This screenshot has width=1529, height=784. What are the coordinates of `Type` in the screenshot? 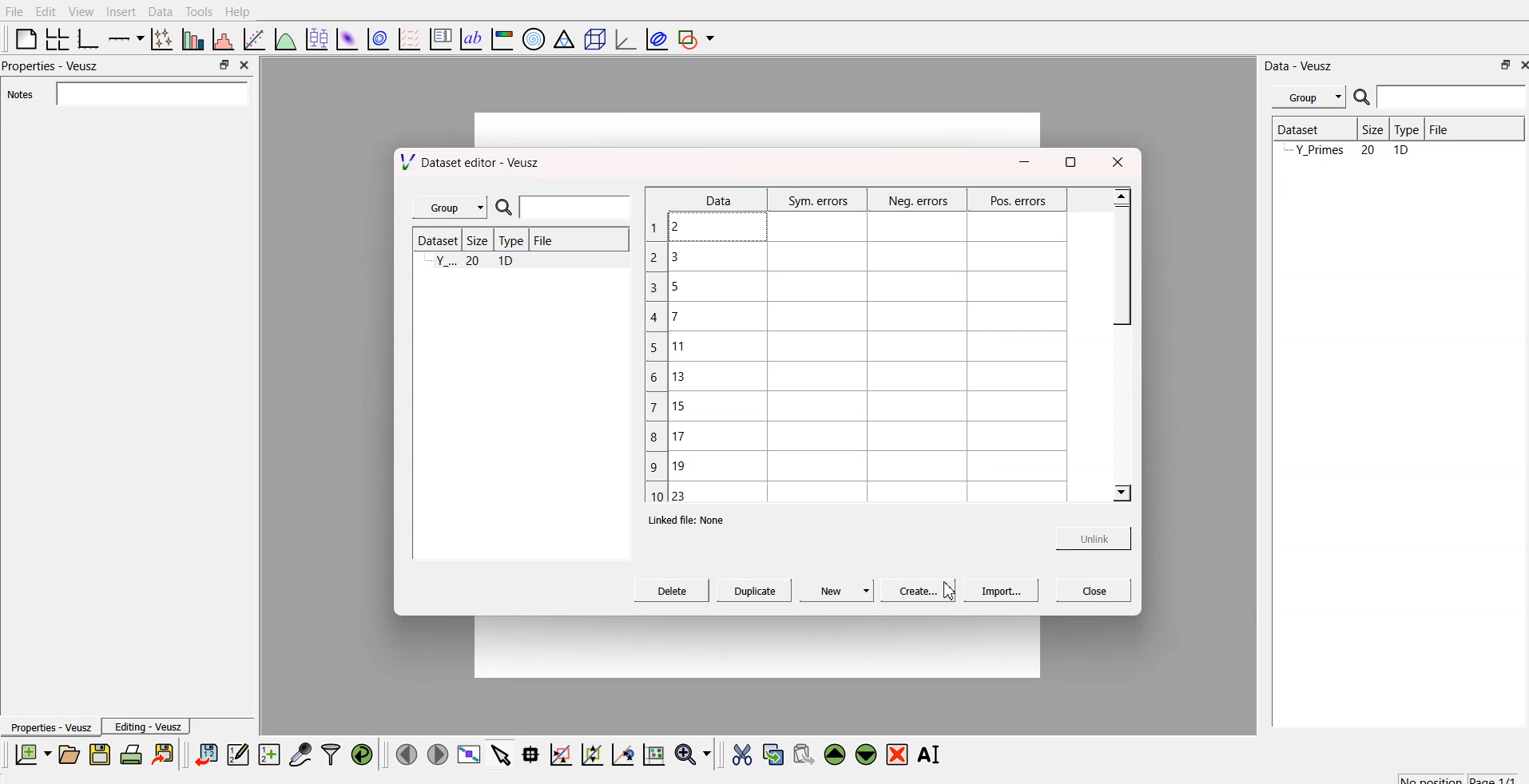 It's located at (1406, 129).